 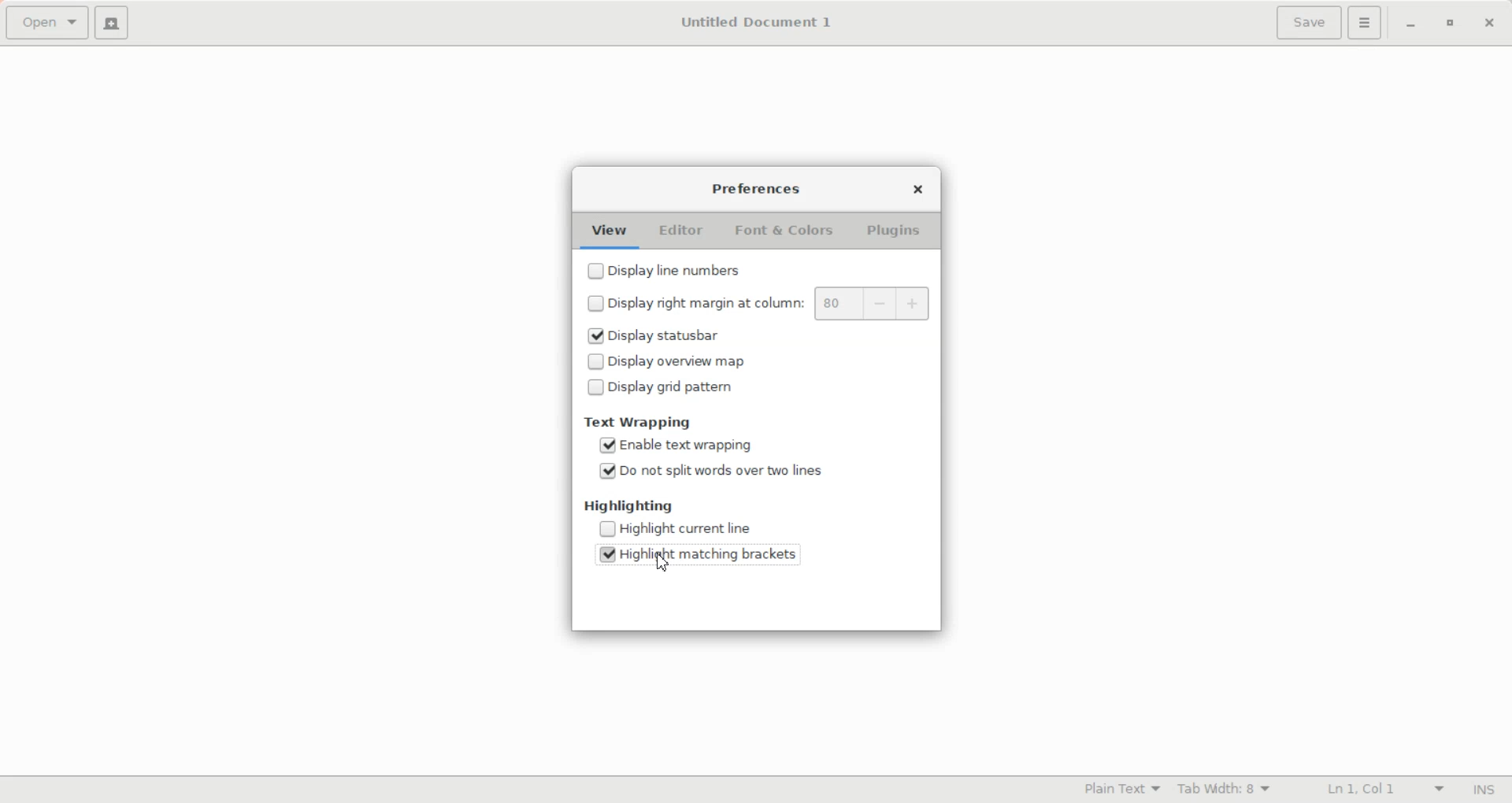 I want to click on Highlighting, so click(x=630, y=505).